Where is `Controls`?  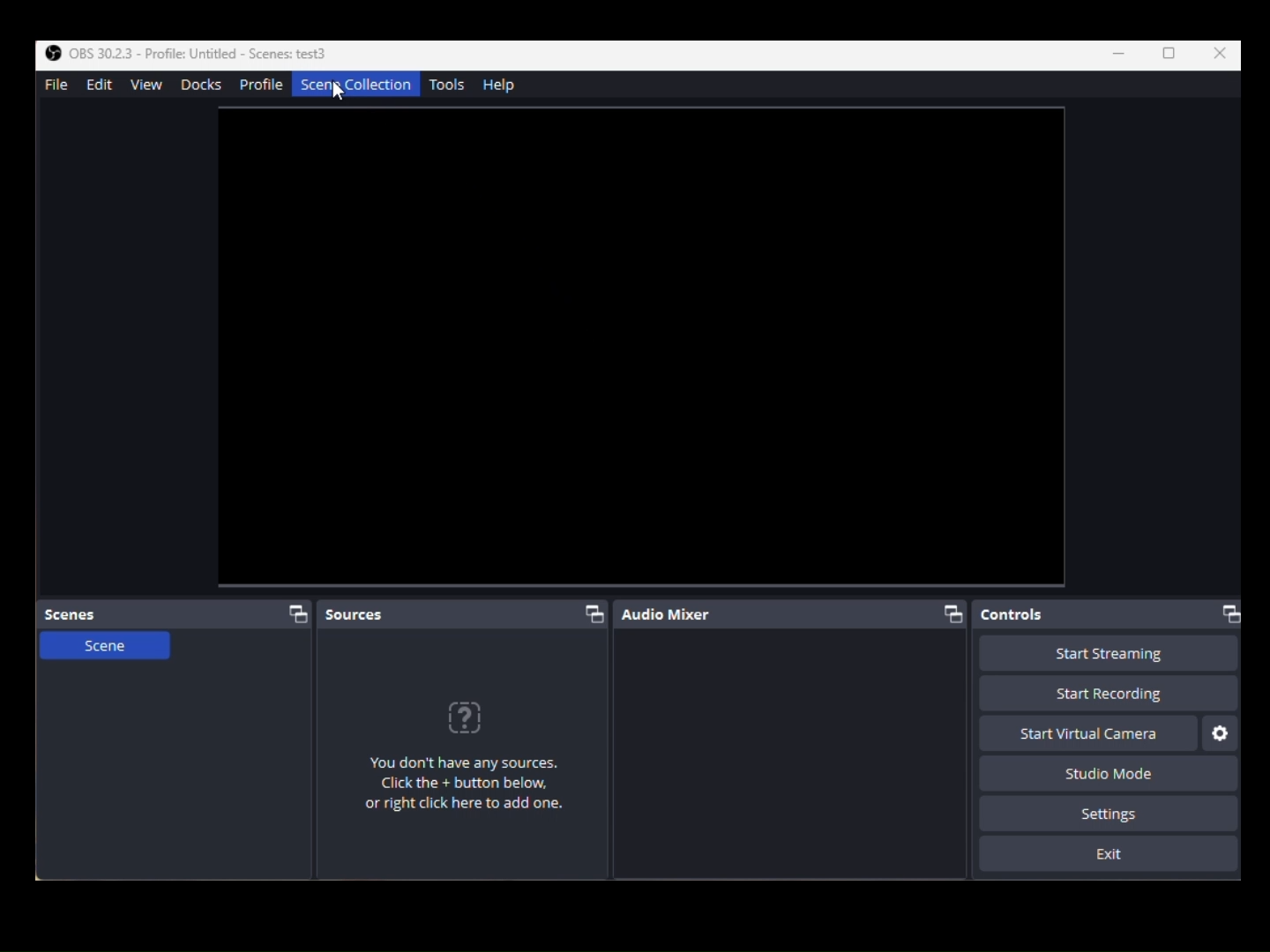 Controls is located at coordinates (1112, 614).